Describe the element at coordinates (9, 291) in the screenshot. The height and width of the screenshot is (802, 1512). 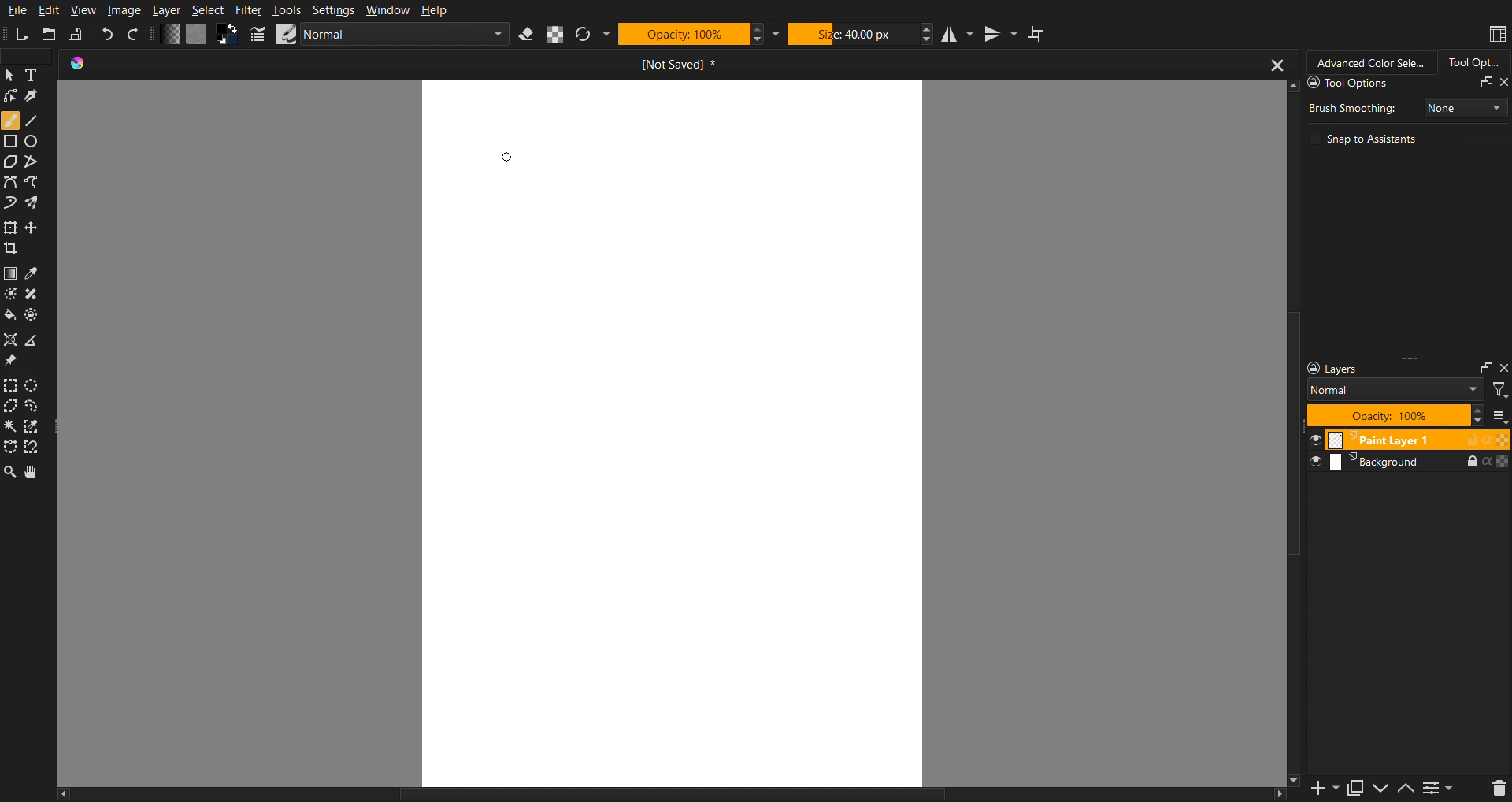
I see `Brush` at that location.